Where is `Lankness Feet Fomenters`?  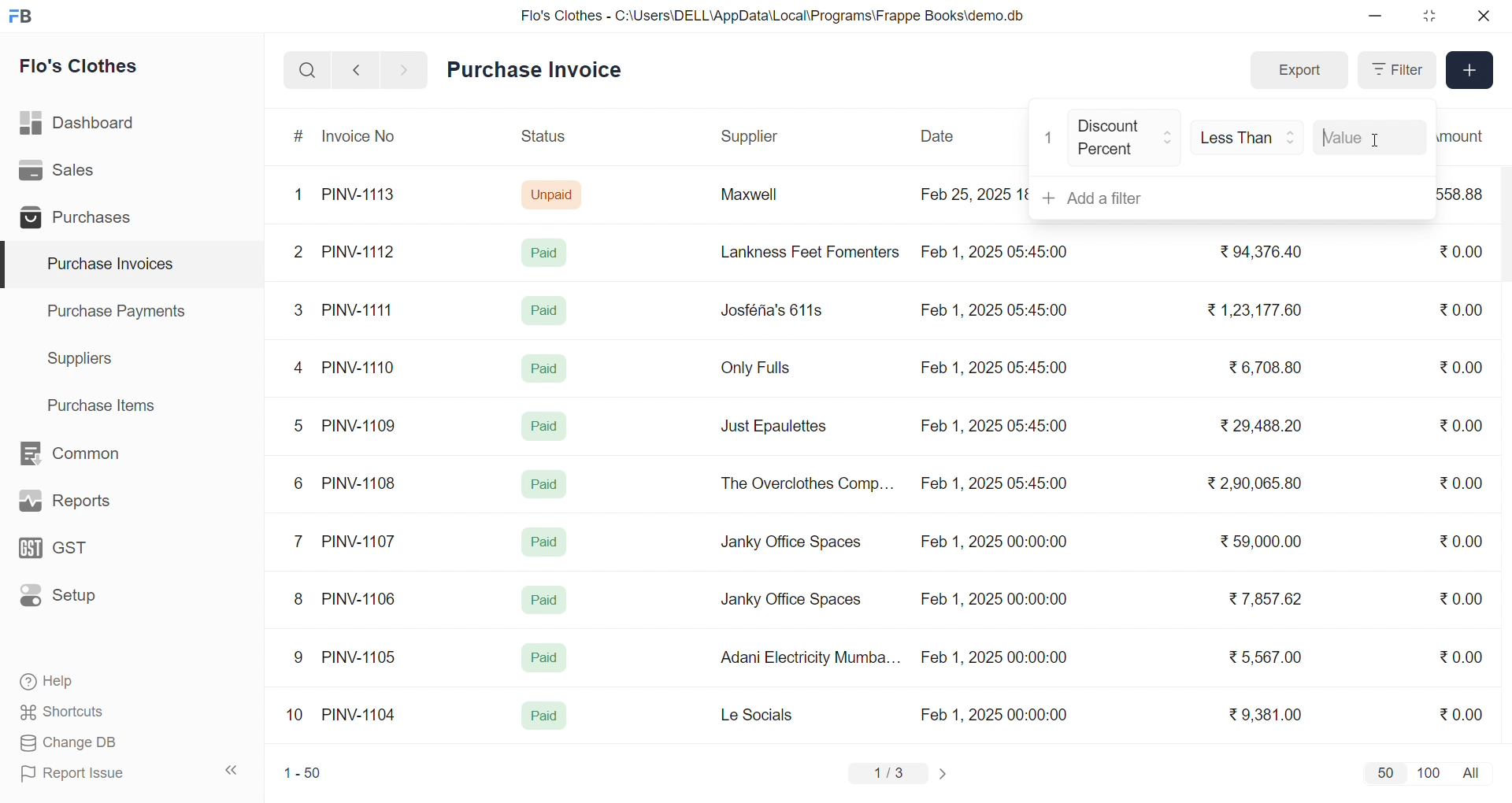 Lankness Feet Fomenters is located at coordinates (800, 252).